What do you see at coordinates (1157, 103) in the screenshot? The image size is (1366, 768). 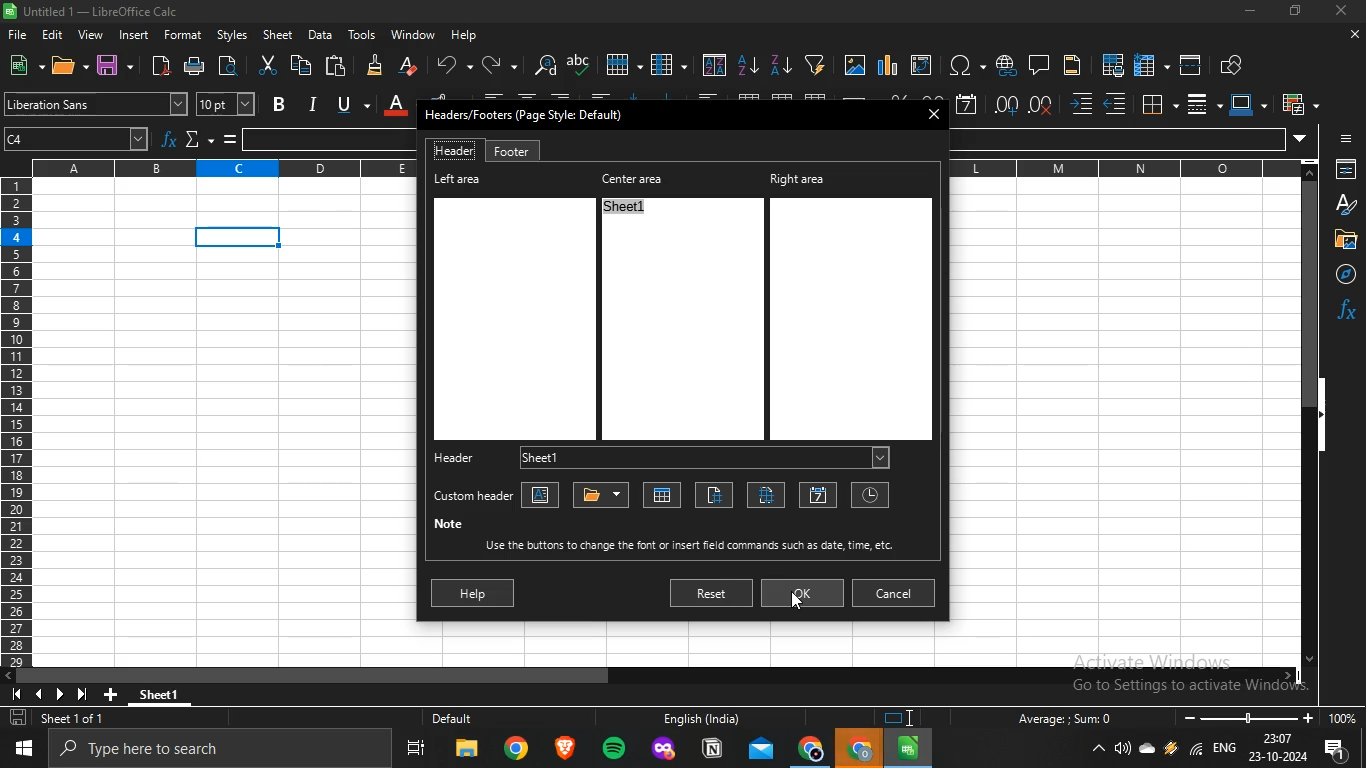 I see `borders` at bounding box center [1157, 103].